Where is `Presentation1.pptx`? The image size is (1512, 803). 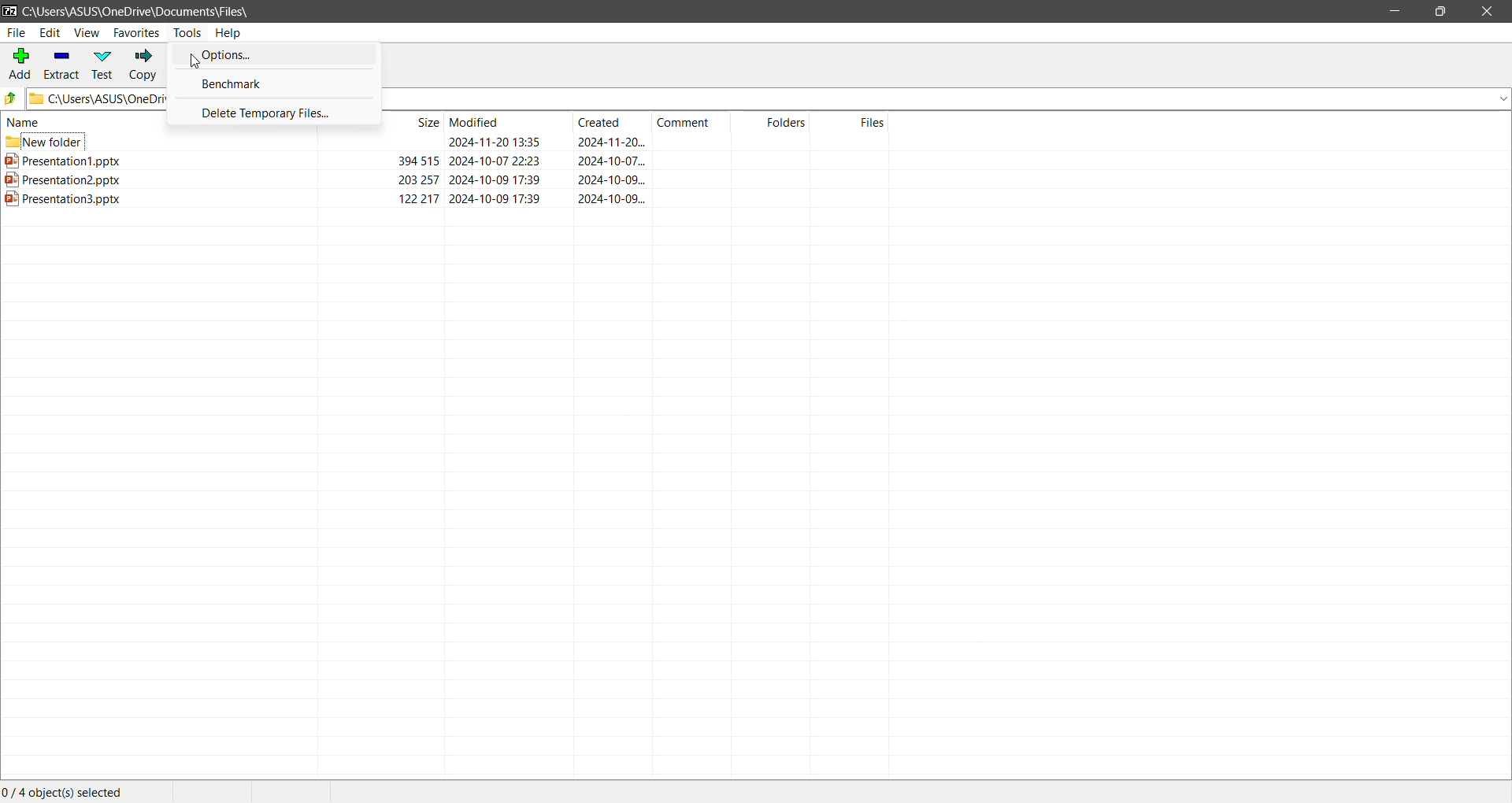
Presentation1.pptx is located at coordinates (448, 161).